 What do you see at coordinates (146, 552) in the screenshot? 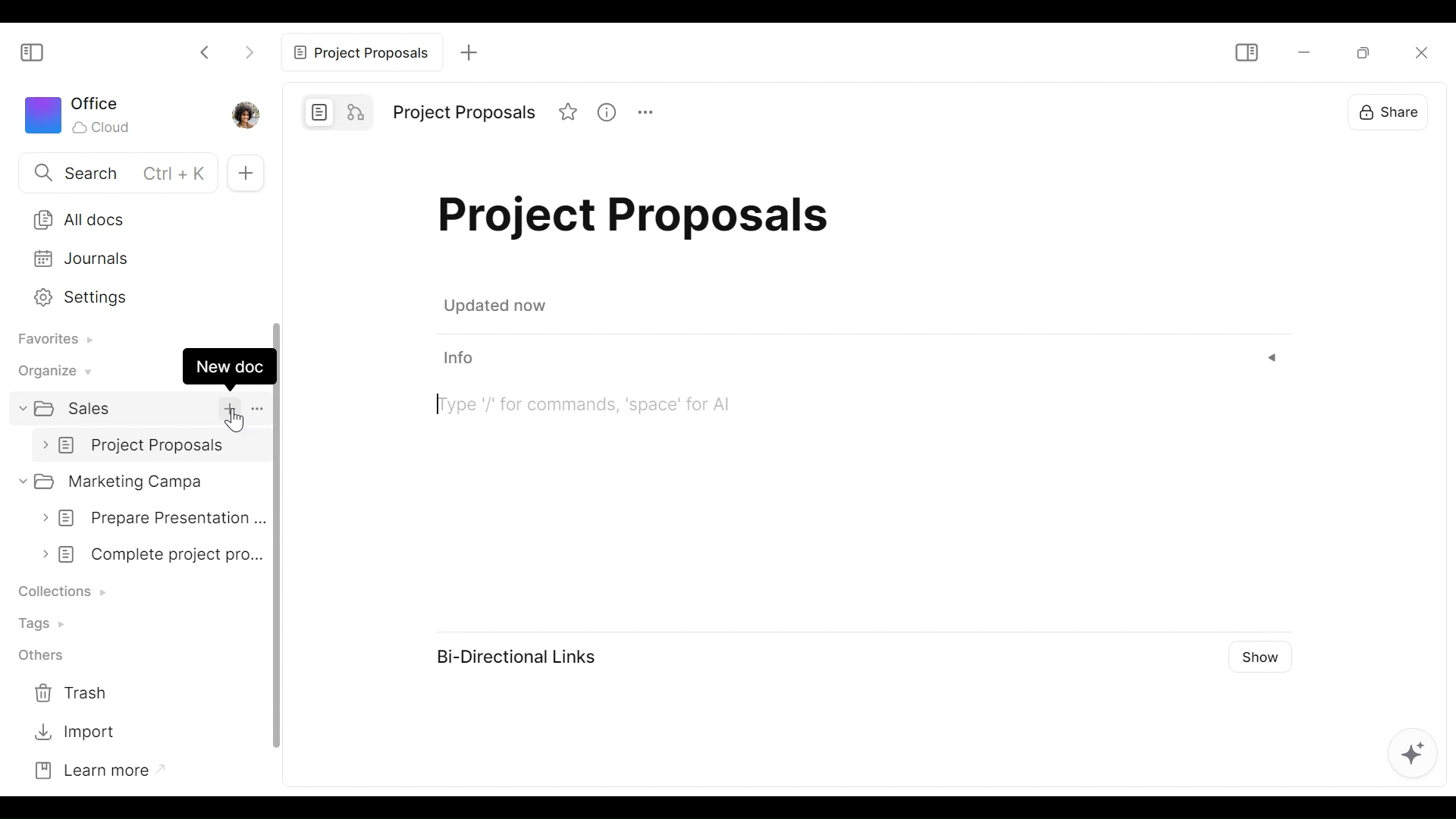
I see `complete project` at bounding box center [146, 552].